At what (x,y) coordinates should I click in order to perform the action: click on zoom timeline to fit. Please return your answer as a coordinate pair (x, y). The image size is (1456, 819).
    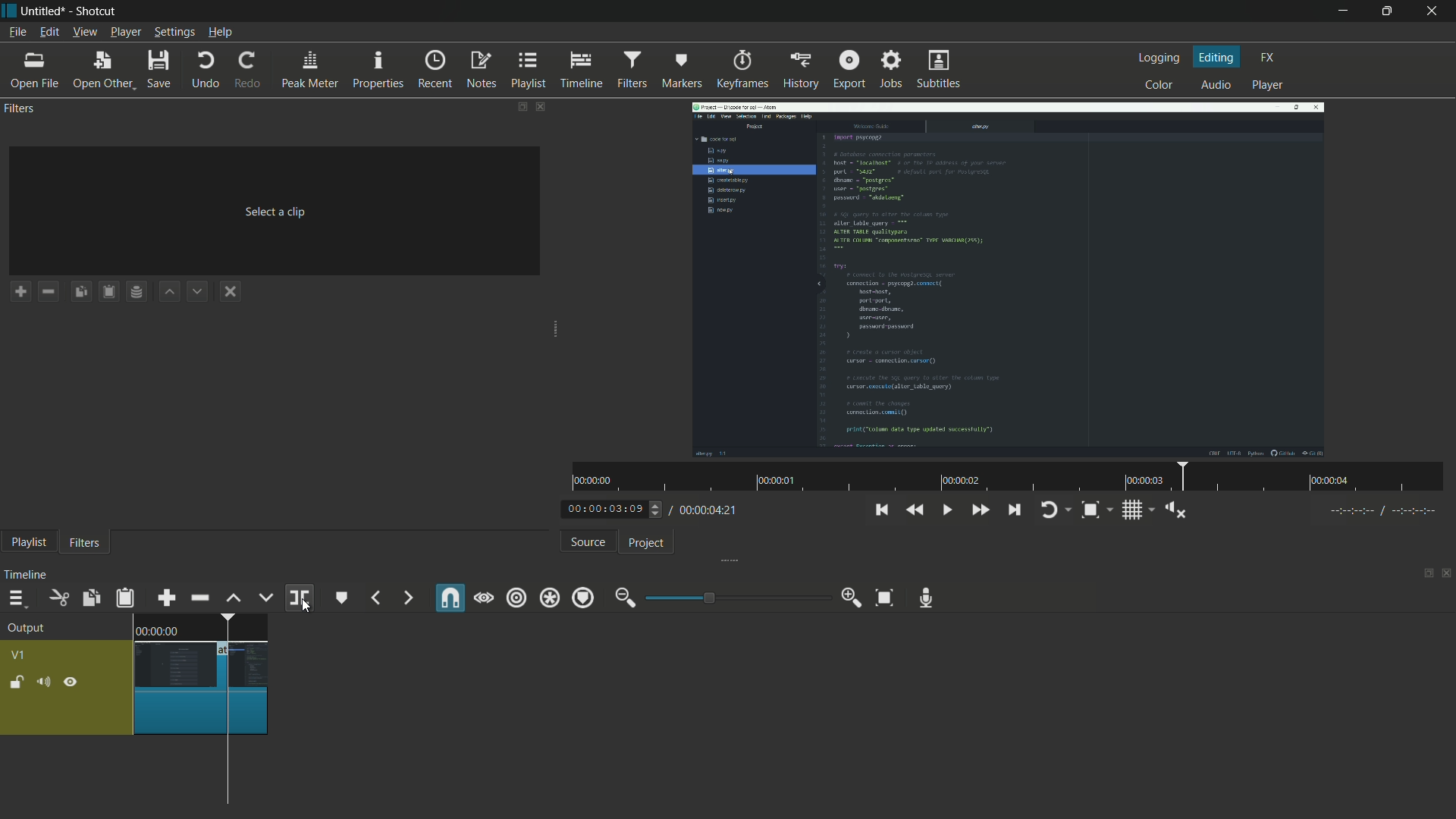
    Looking at the image, I should click on (883, 598).